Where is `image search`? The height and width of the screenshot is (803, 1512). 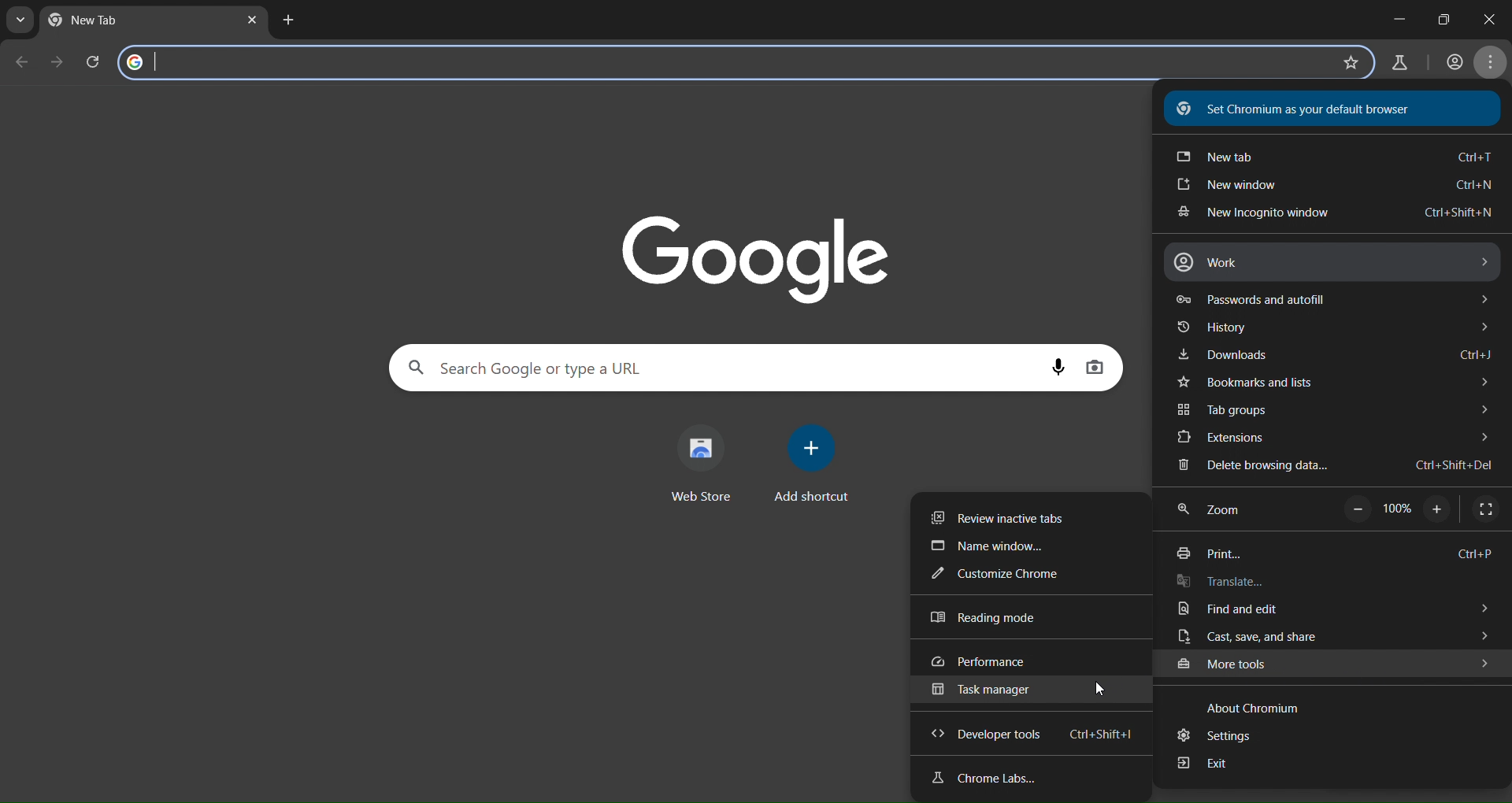
image search is located at coordinates (1095, 367).